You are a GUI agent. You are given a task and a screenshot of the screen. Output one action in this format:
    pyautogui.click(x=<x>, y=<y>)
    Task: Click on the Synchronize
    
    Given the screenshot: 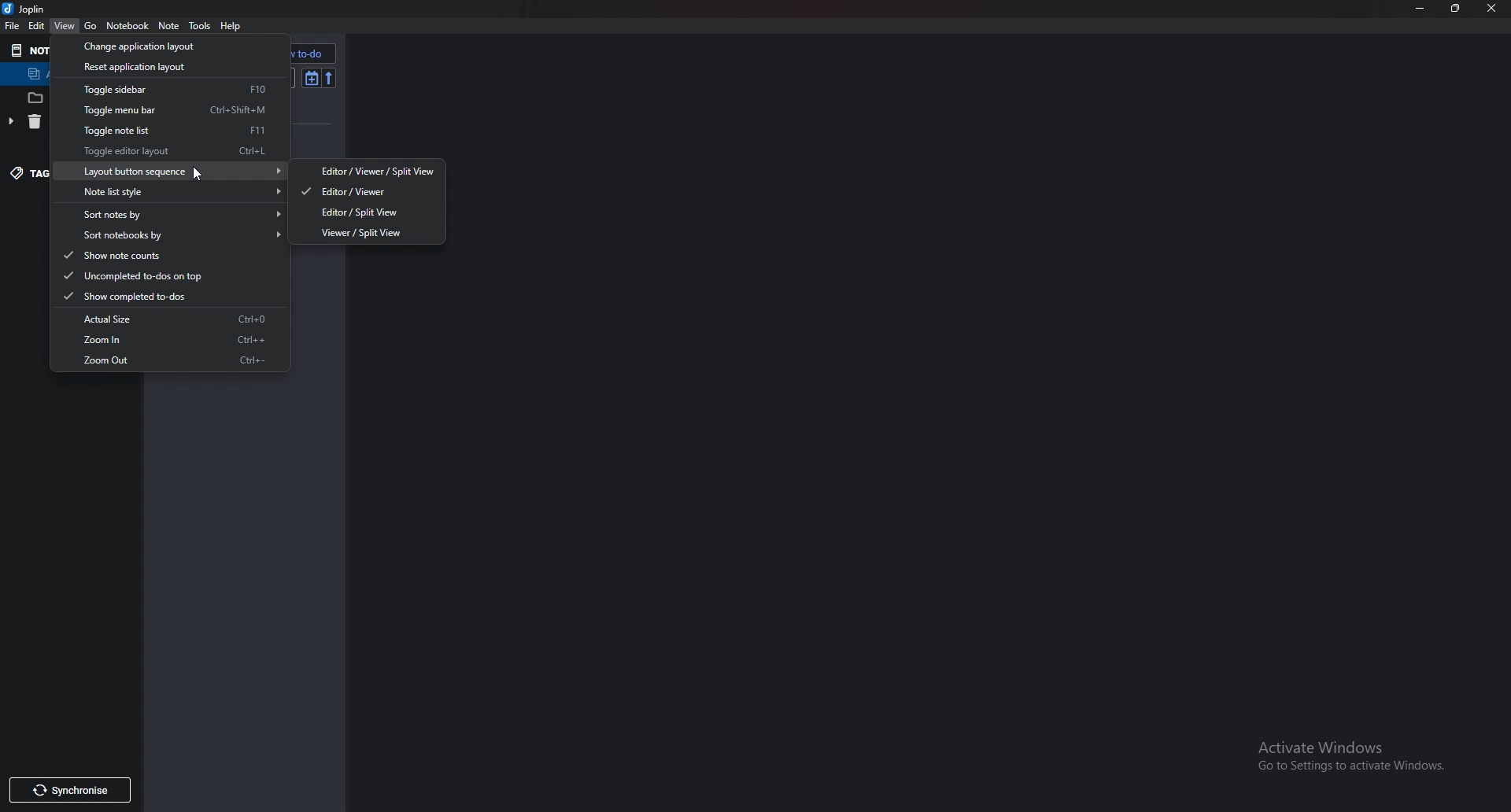 What is the action you would take?
    pyautogui.click(x=66, y=791)
    